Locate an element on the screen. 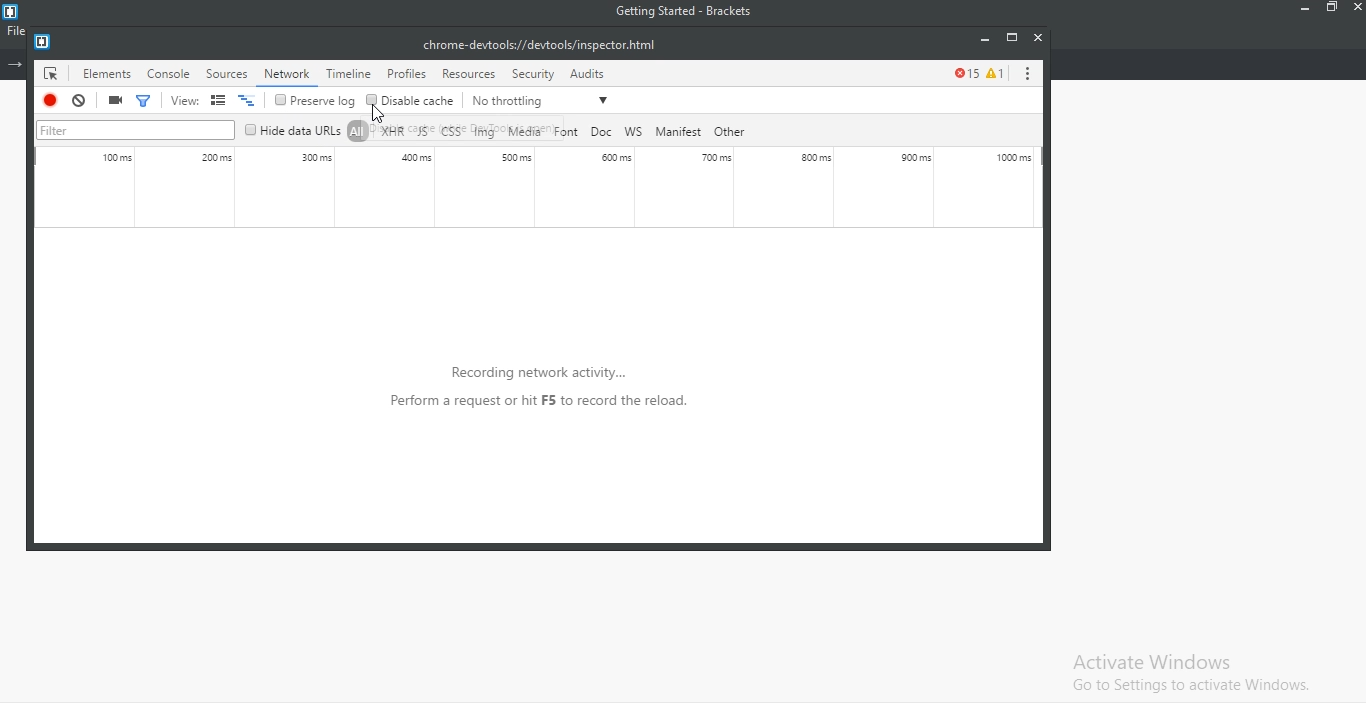 Image resolution: width=1366 pixels, height=728 pixels. preserve log is located at coordinates (316, 101).